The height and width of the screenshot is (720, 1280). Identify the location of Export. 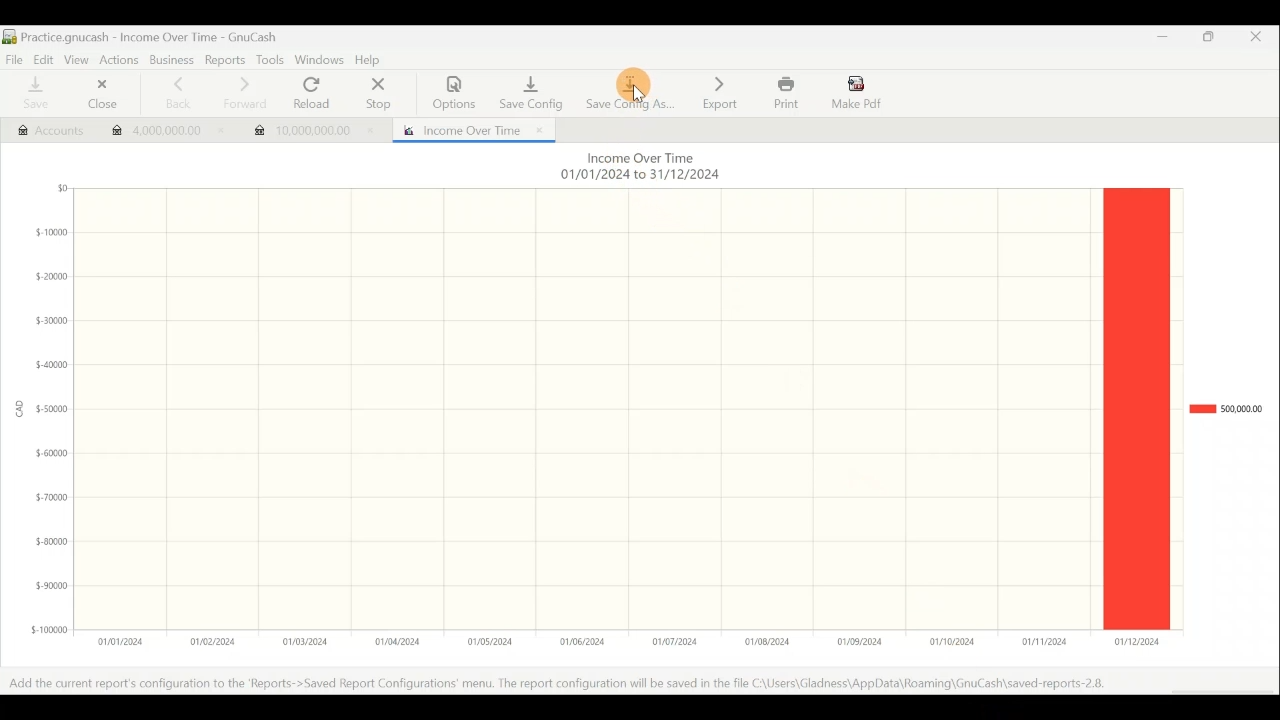
(720, 92).